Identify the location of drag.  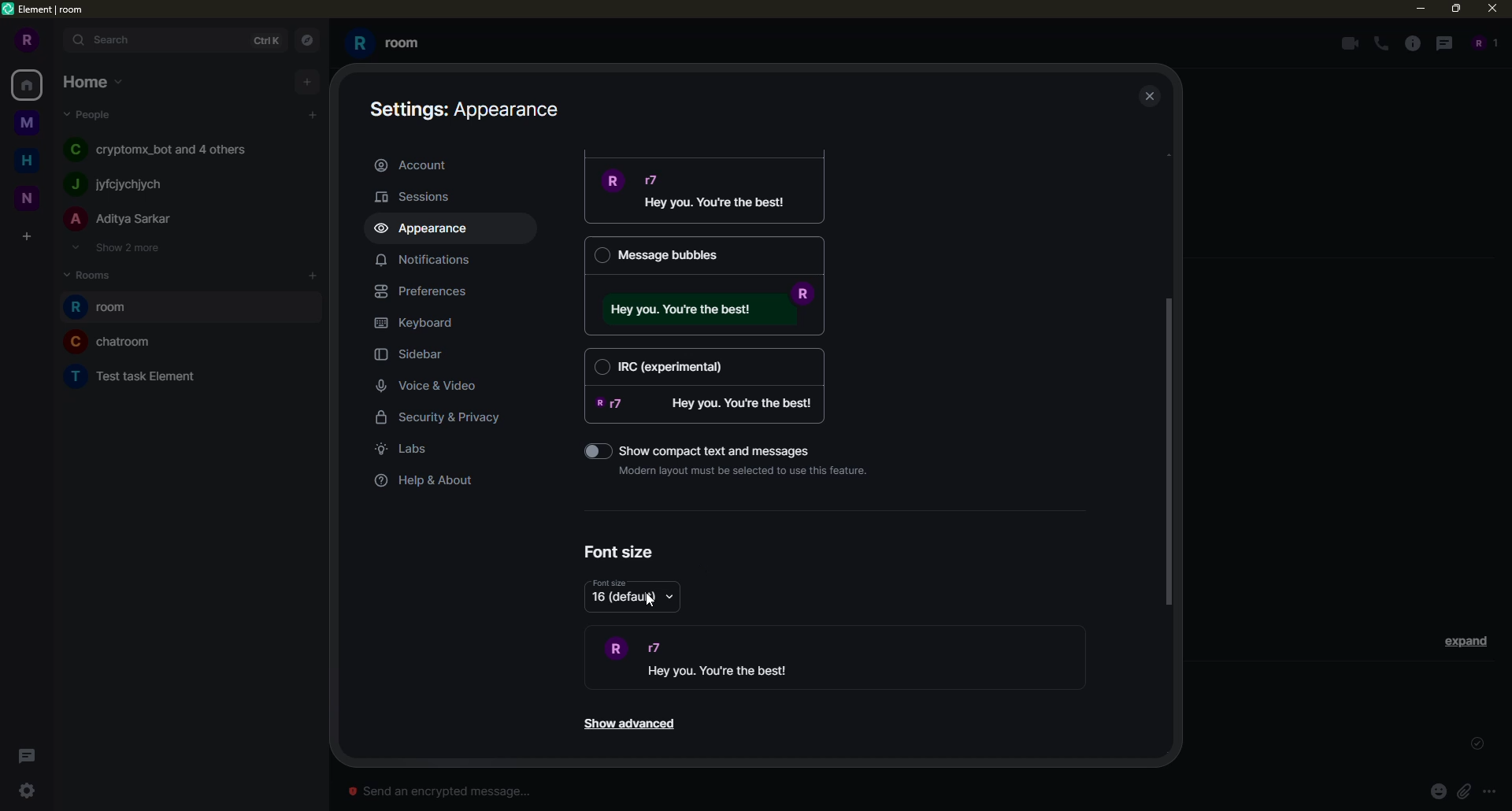
(1169, 450).